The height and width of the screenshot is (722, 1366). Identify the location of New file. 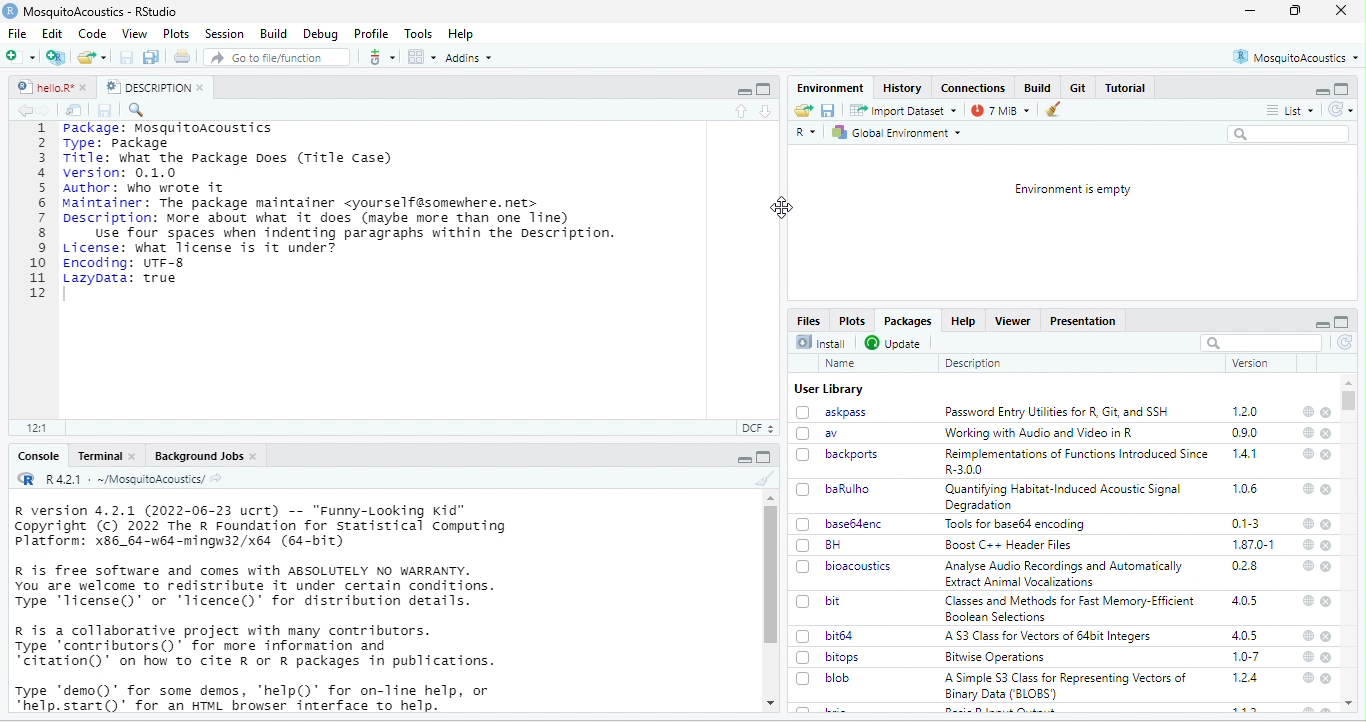
(24, 56).